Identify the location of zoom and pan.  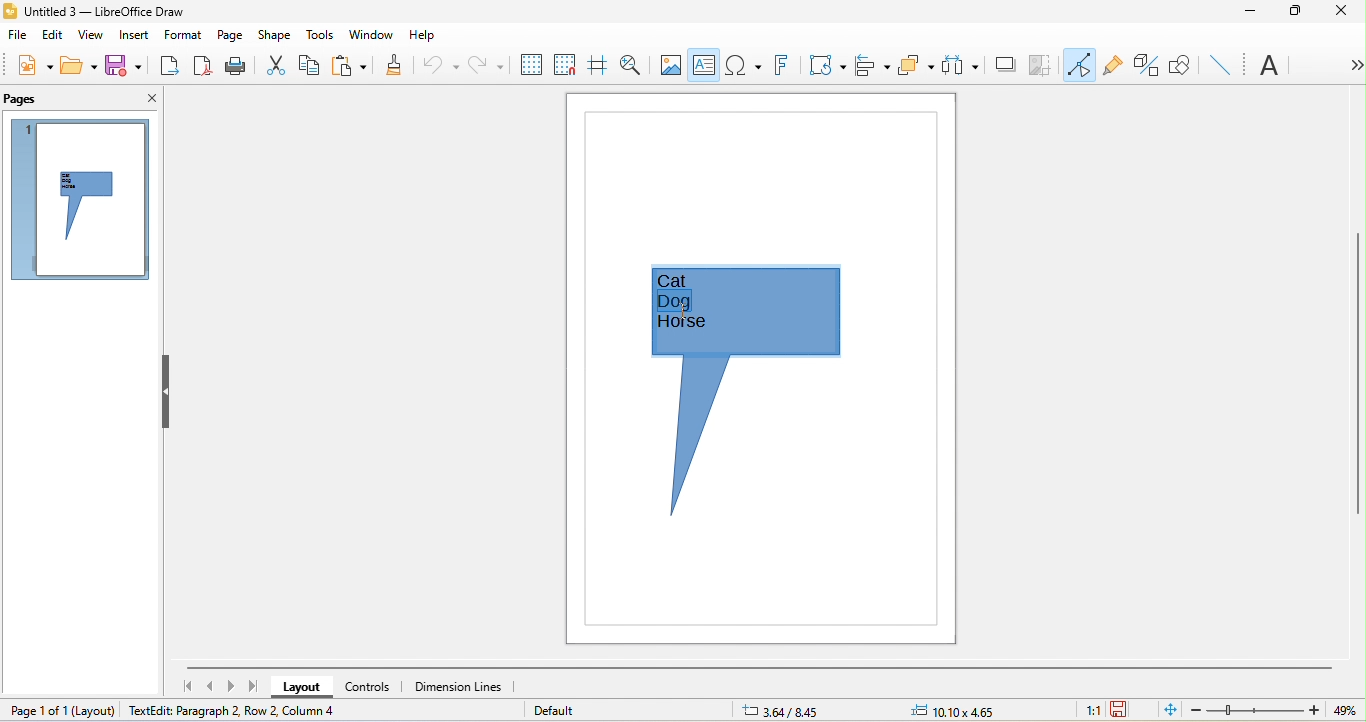
(634, 66).